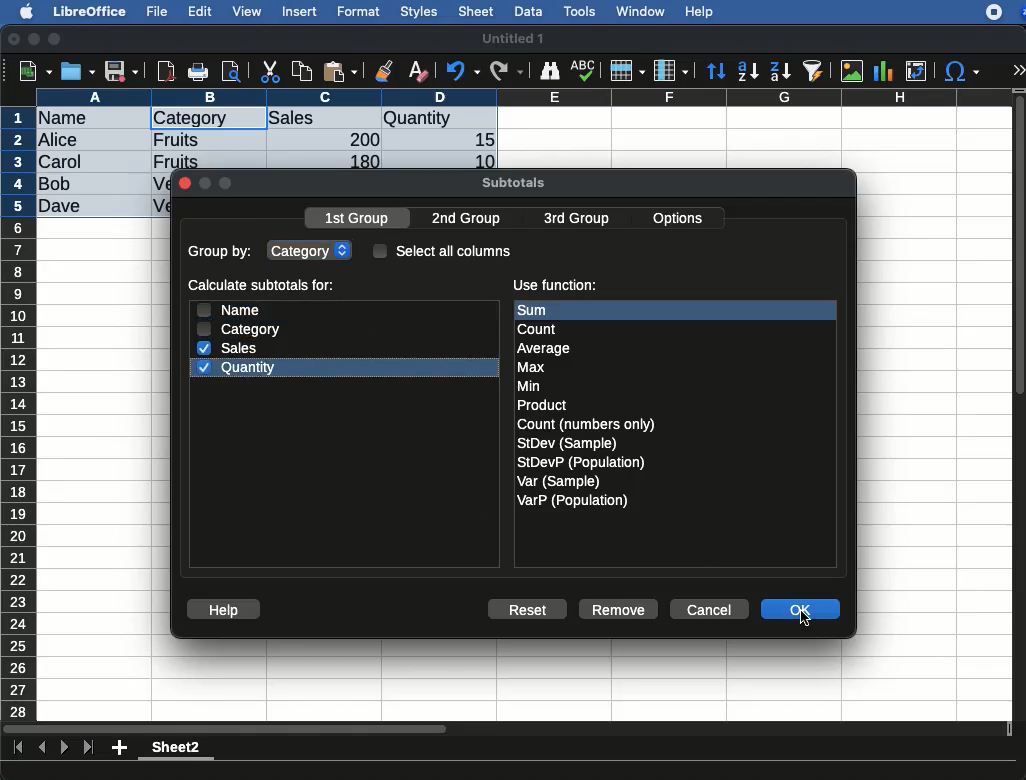 This screenshot has width=1026, height=780. I want to click on close, so click(15, 41).